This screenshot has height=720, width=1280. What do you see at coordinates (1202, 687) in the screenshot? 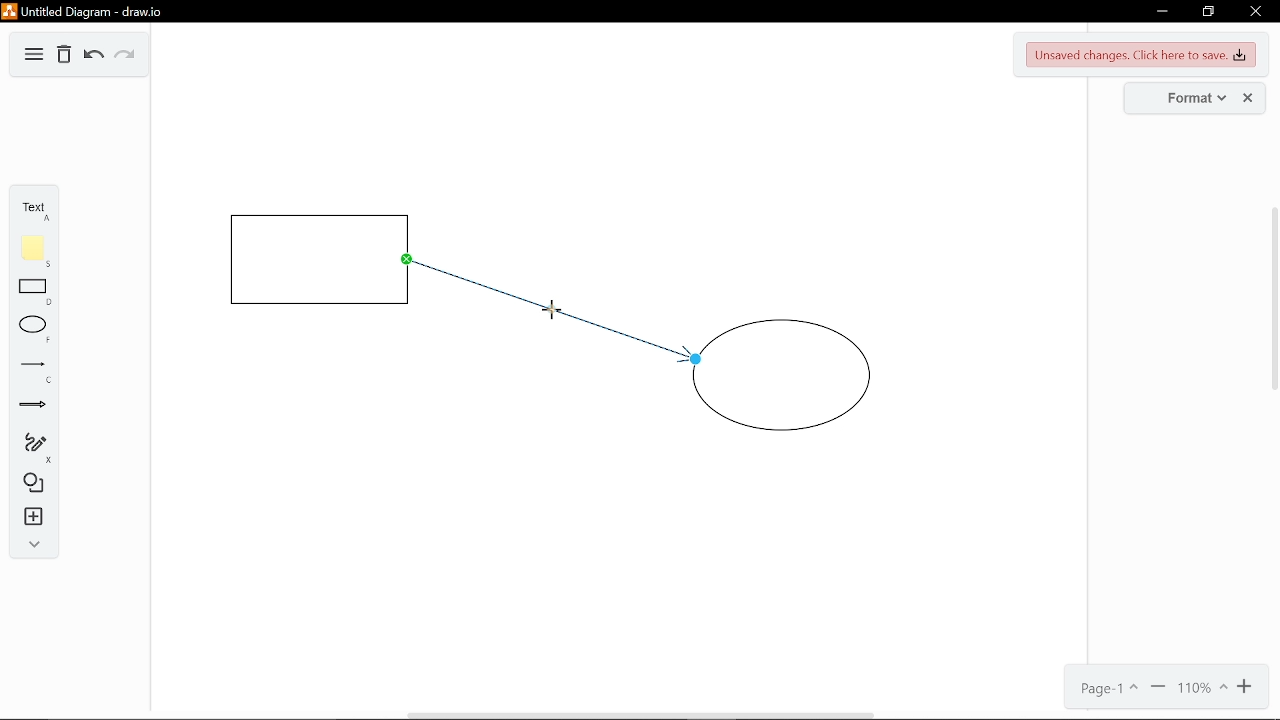
I see `Current zoom` at bounding box center [1202, 687].